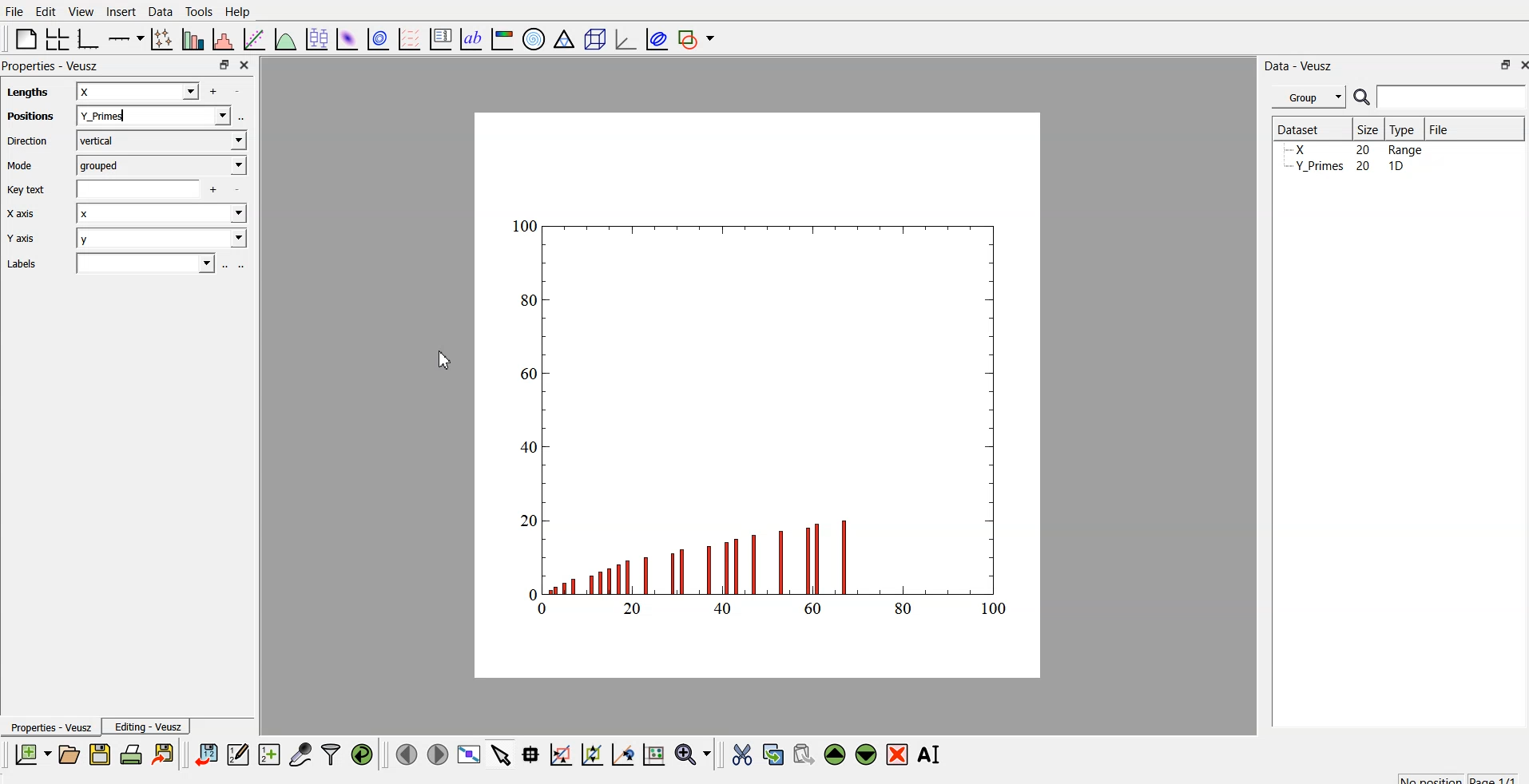 This screenshot has height=784, width=1529. What do you see at coordinates (864, 754) in the screenshot?
I see `move down the widget ` at bounding box center [864, 754].